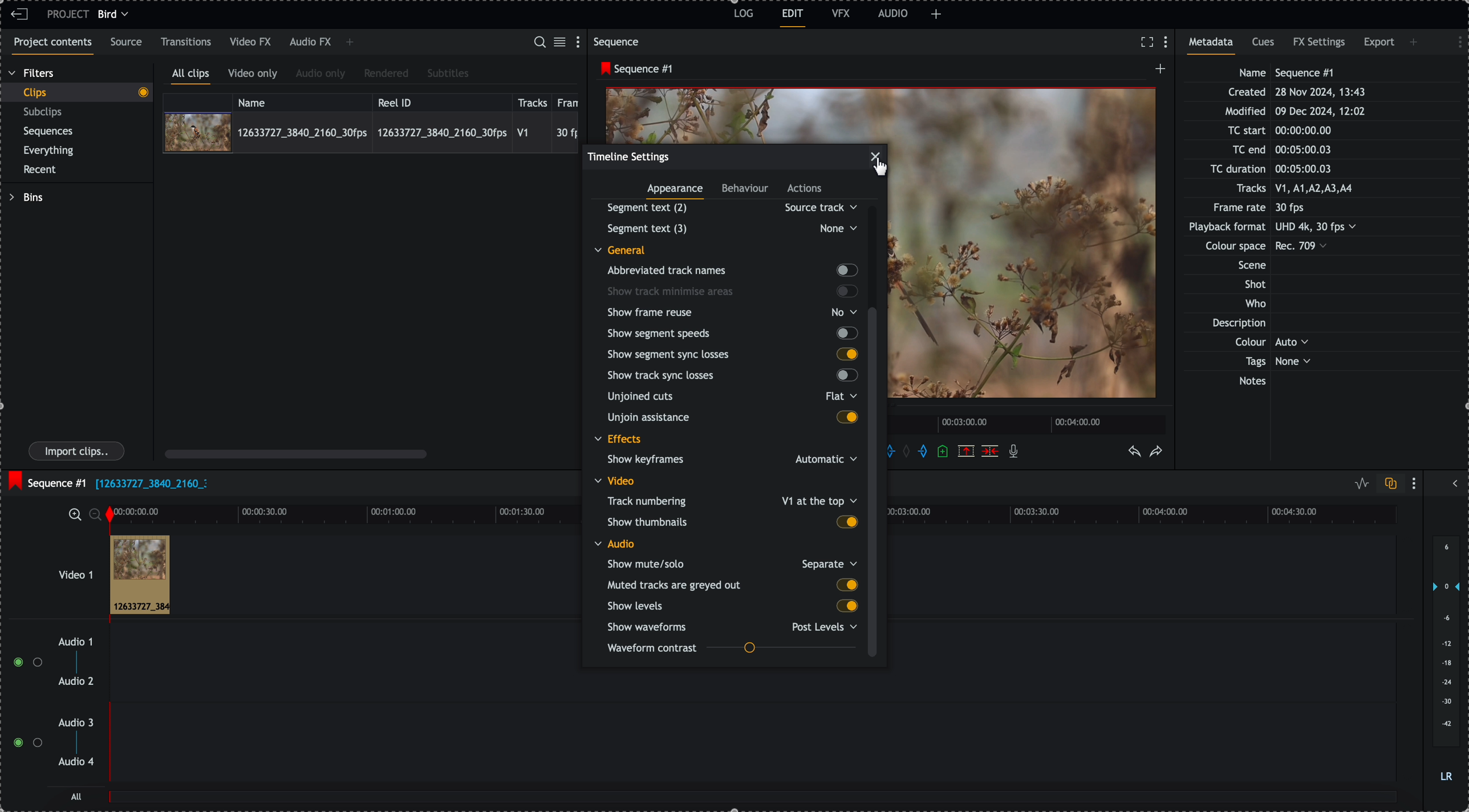  I want to click on tracks, so click(533, 101).